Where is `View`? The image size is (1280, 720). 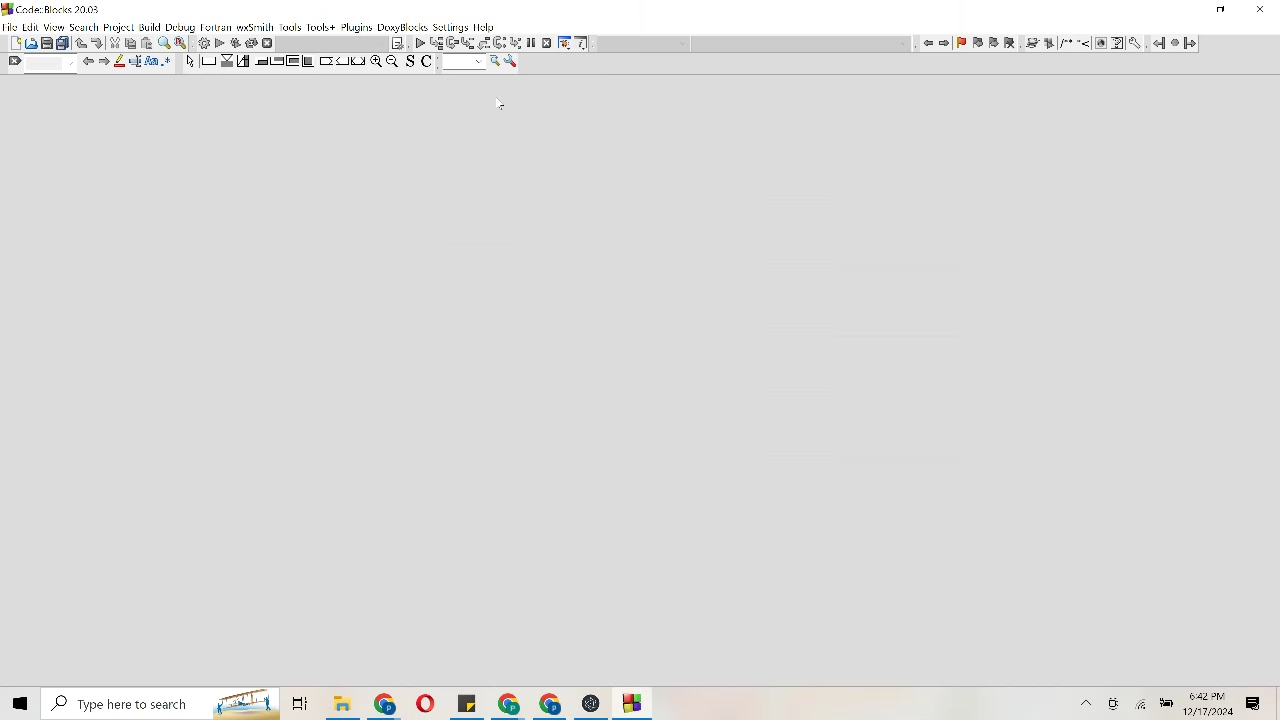 View is located at coordinates (54, 27).